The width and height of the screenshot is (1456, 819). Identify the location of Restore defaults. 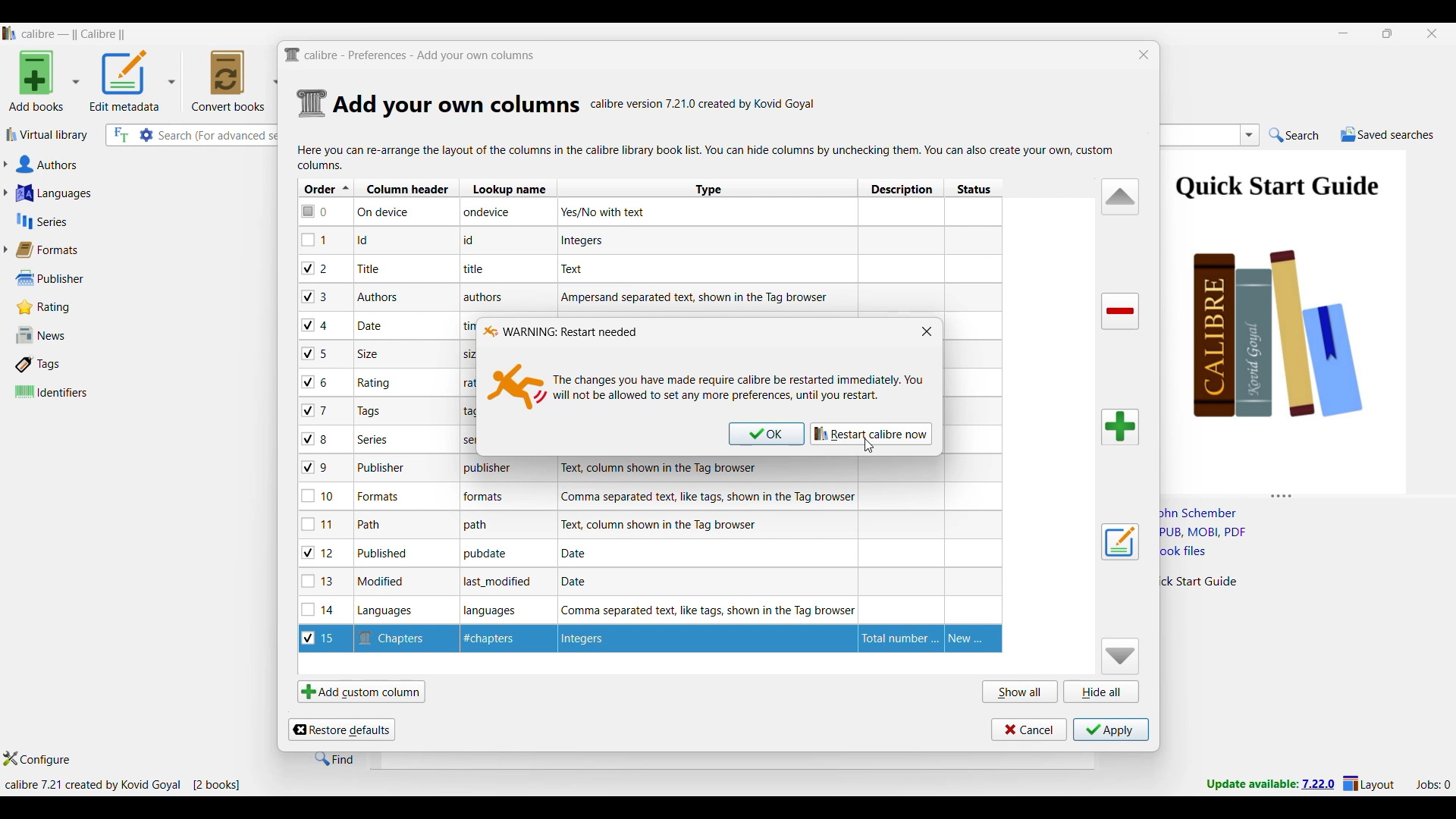
(341, 730).